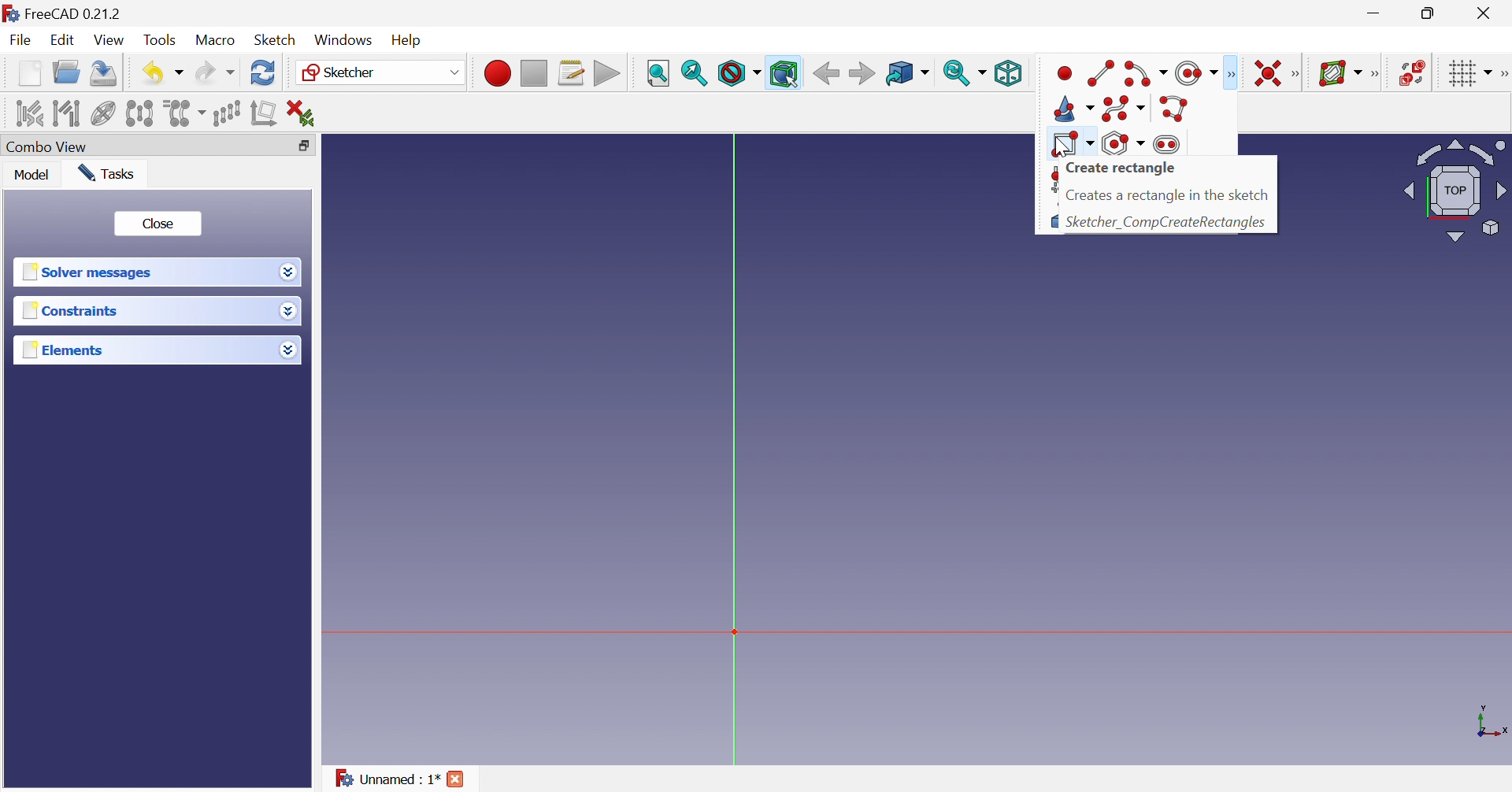  Describe the element at coordinates (1432, 13) in the screenshot. I see `Restore down` at that location.